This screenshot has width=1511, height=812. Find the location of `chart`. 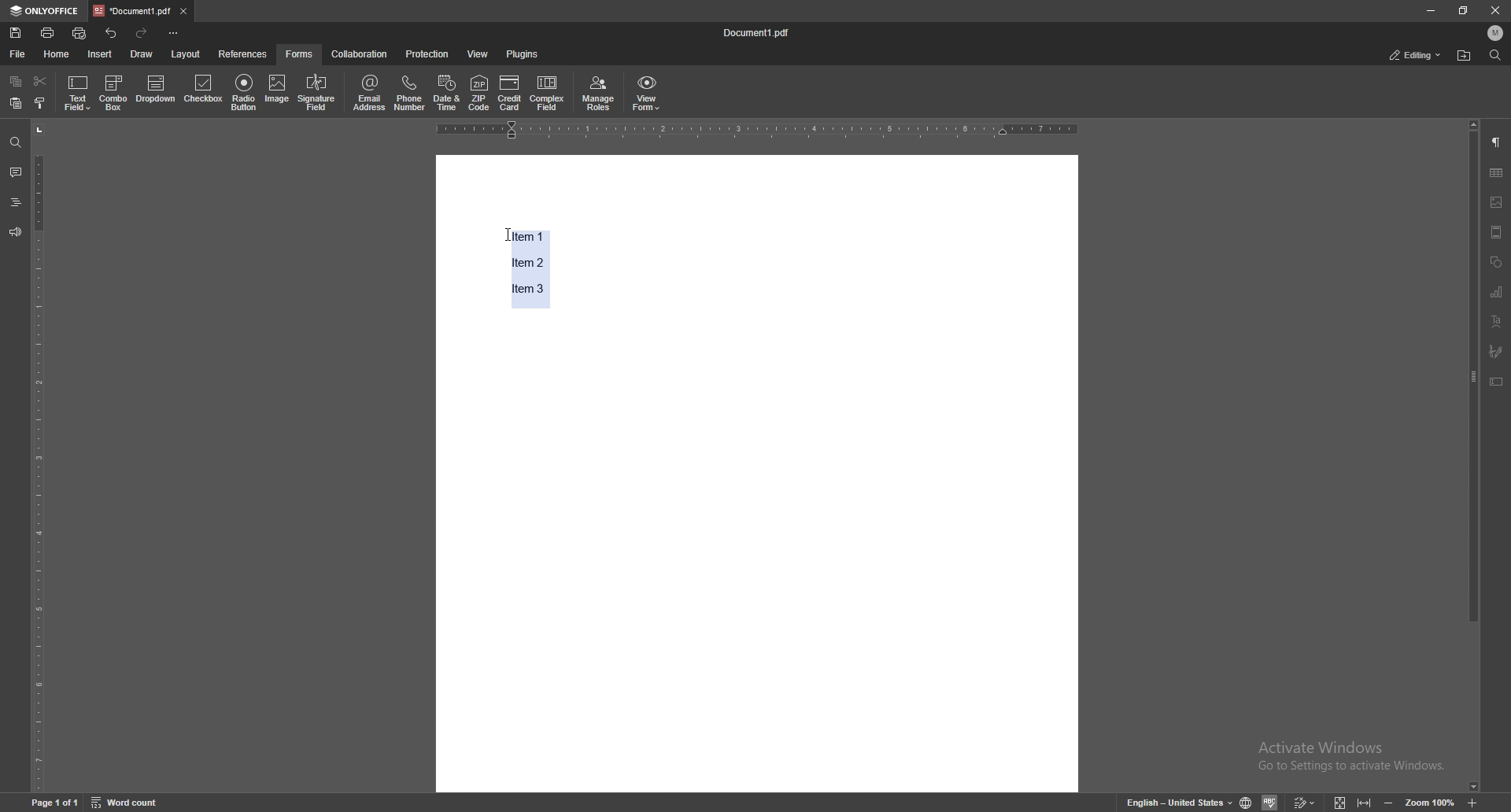

chart is located at coordinates (1498, 292).